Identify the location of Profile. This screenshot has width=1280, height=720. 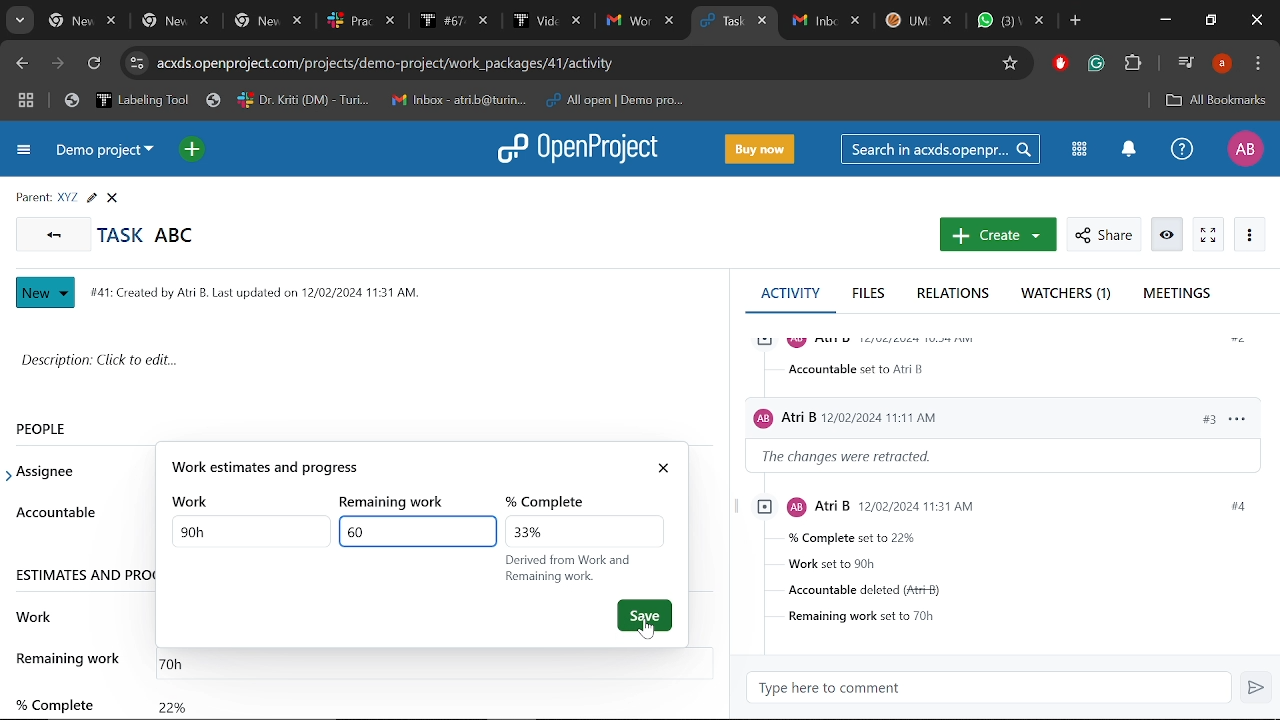
(1221, 64).